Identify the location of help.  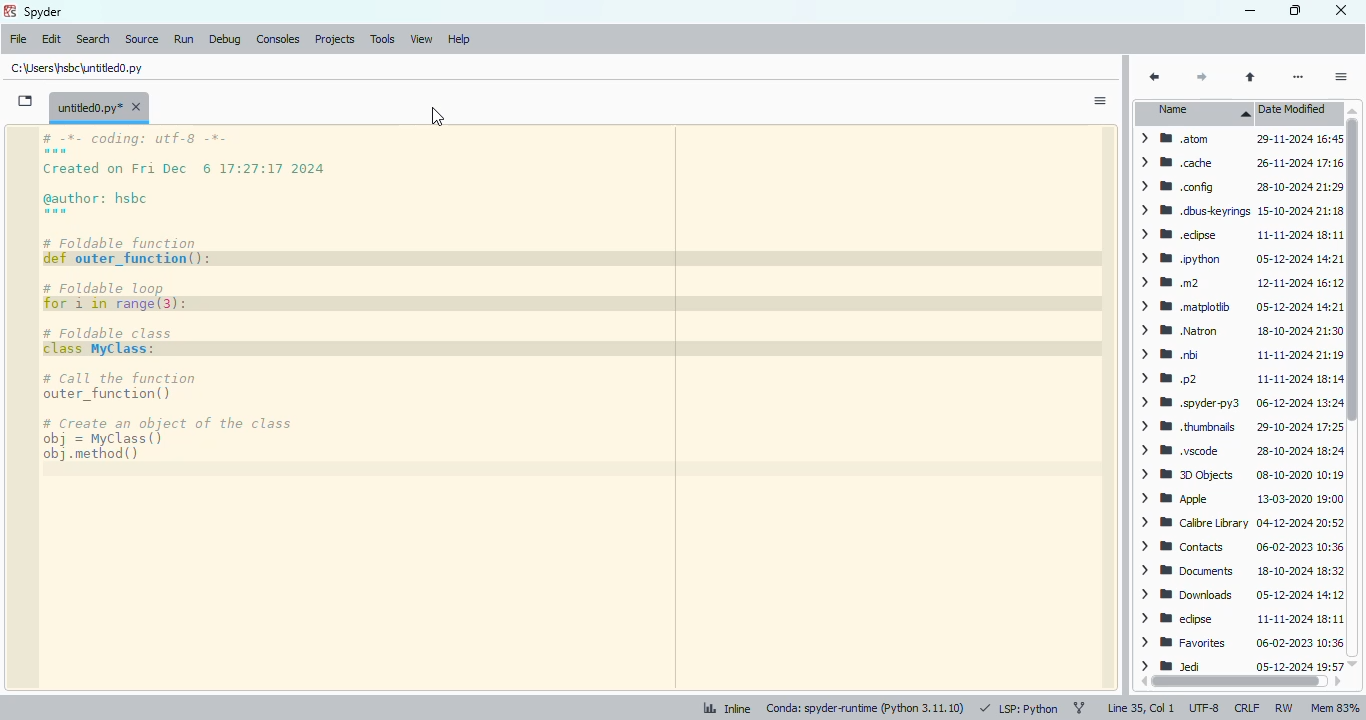
(458, 40).